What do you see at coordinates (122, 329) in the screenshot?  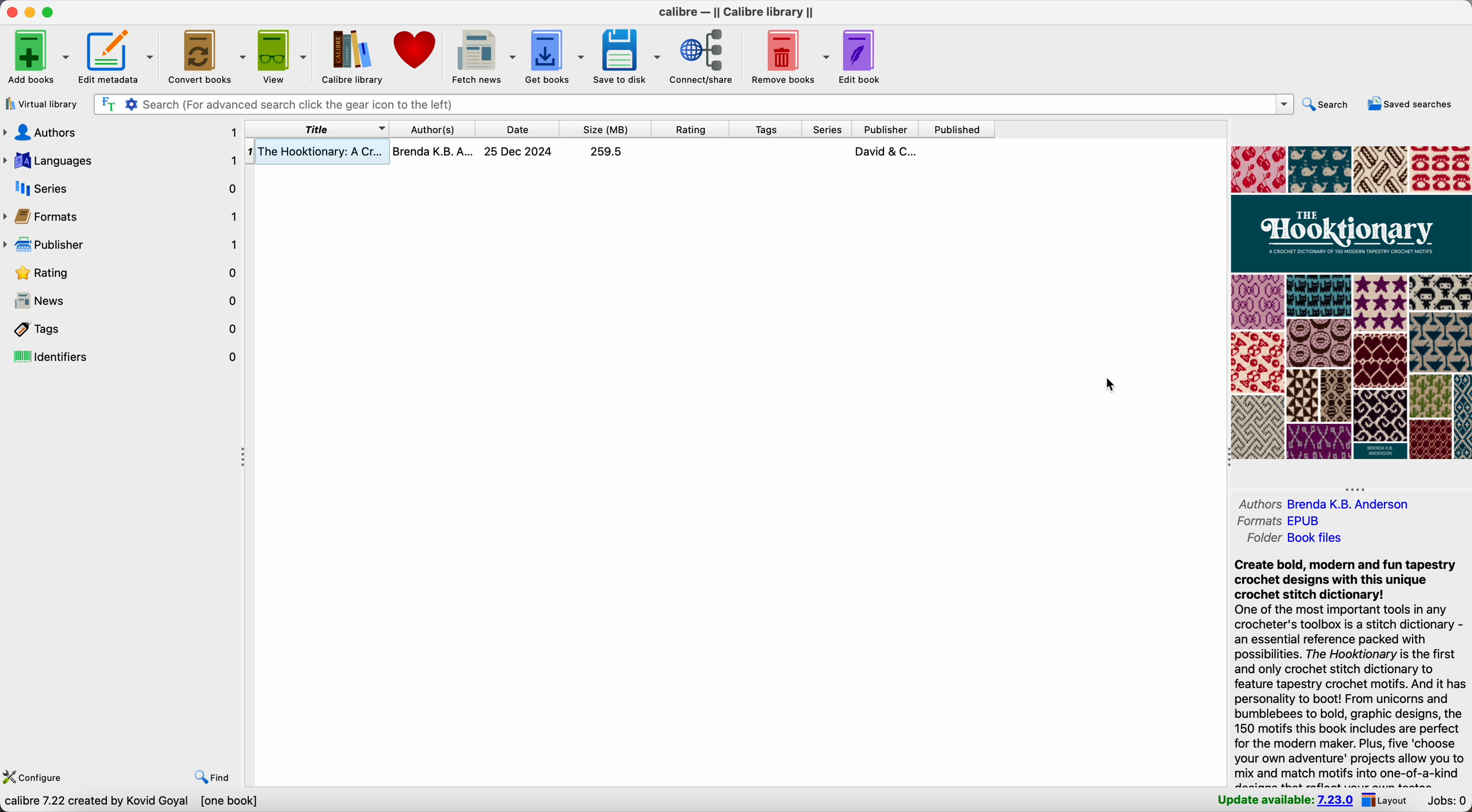 I see `tags` at bounding box center [122, 329].